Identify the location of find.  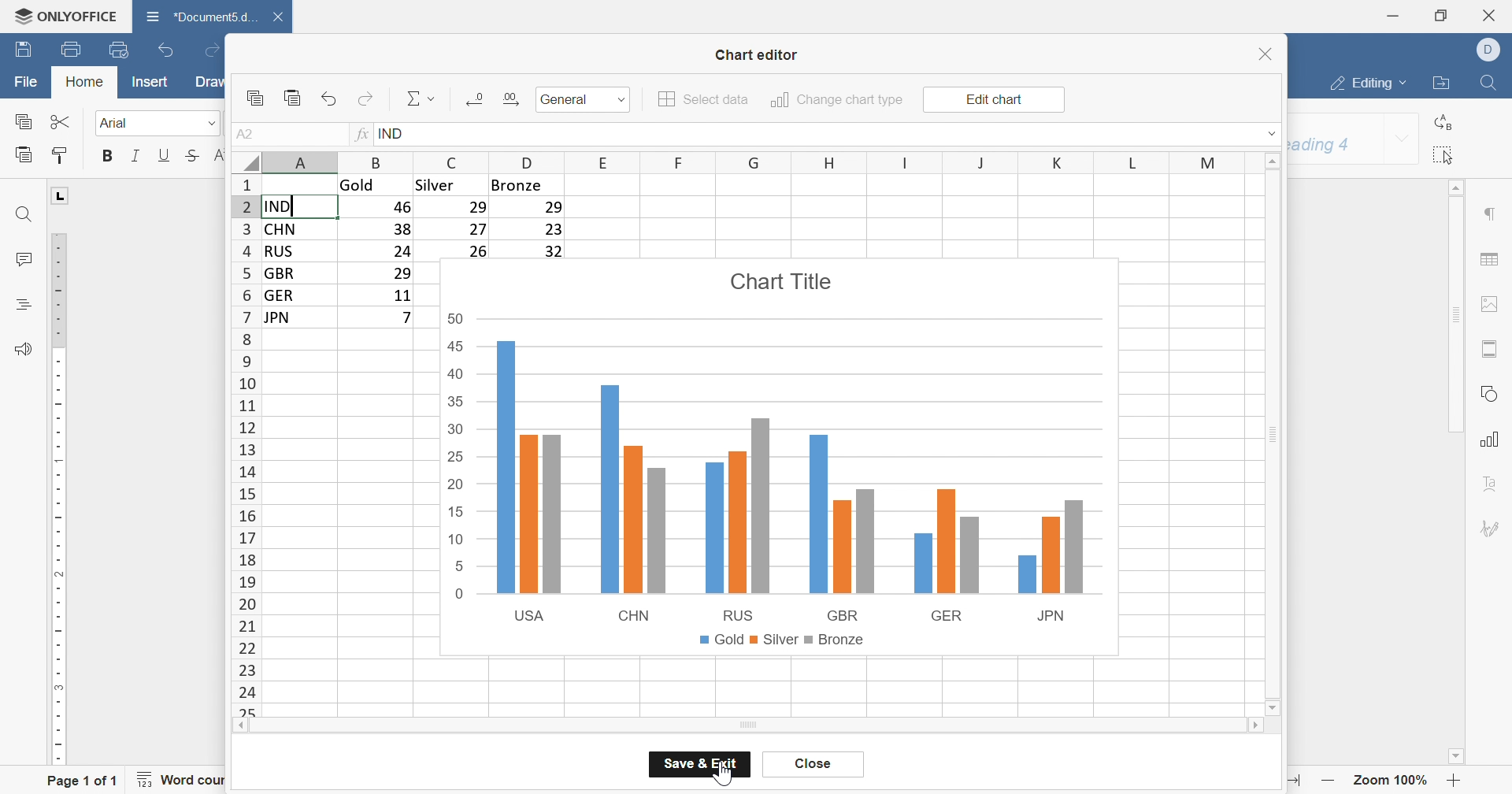
(1488, 83).